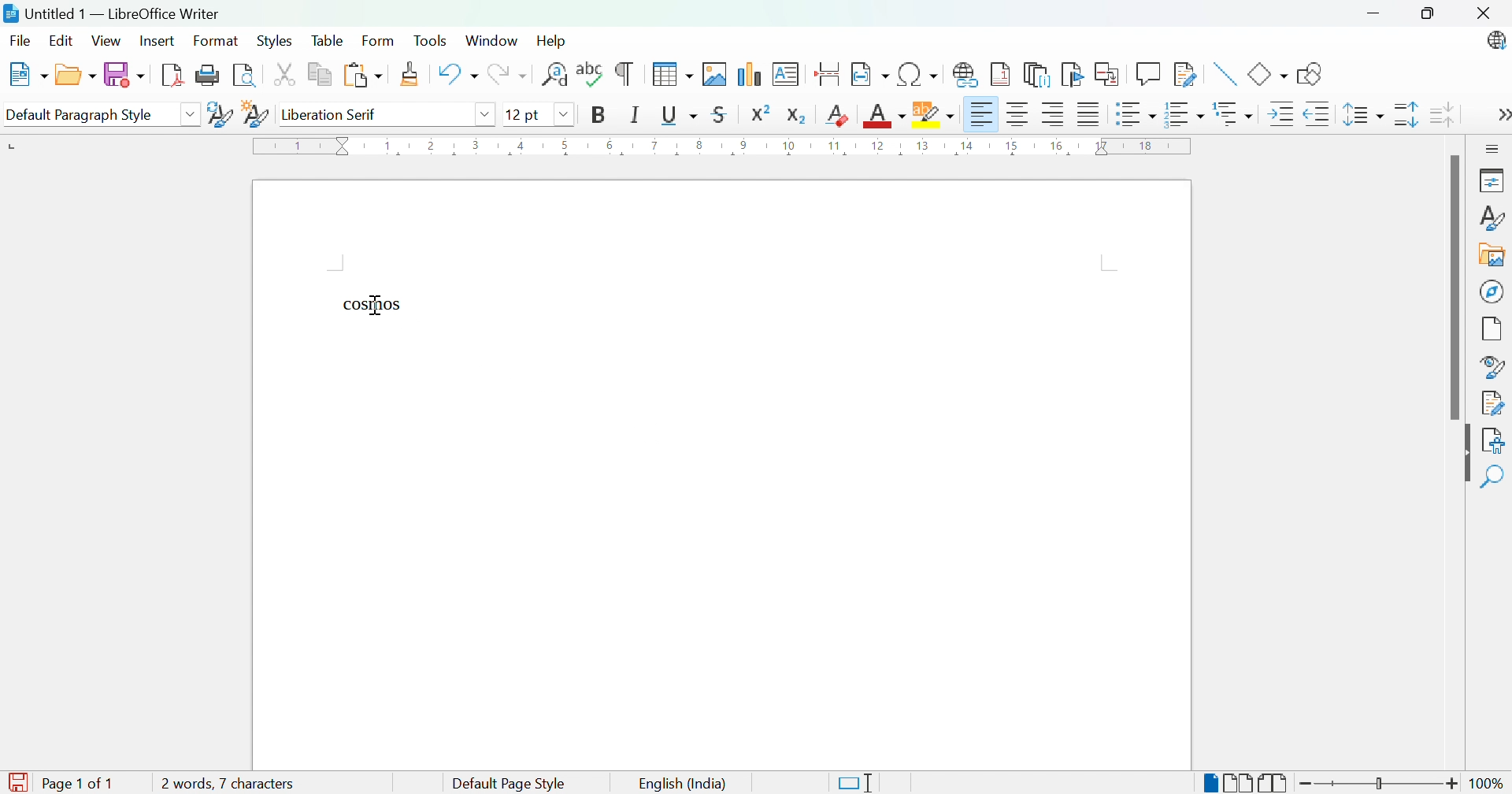 The height and width of the screenshot is (794, 1512). I want to click on Hide, so click(1464, 454).